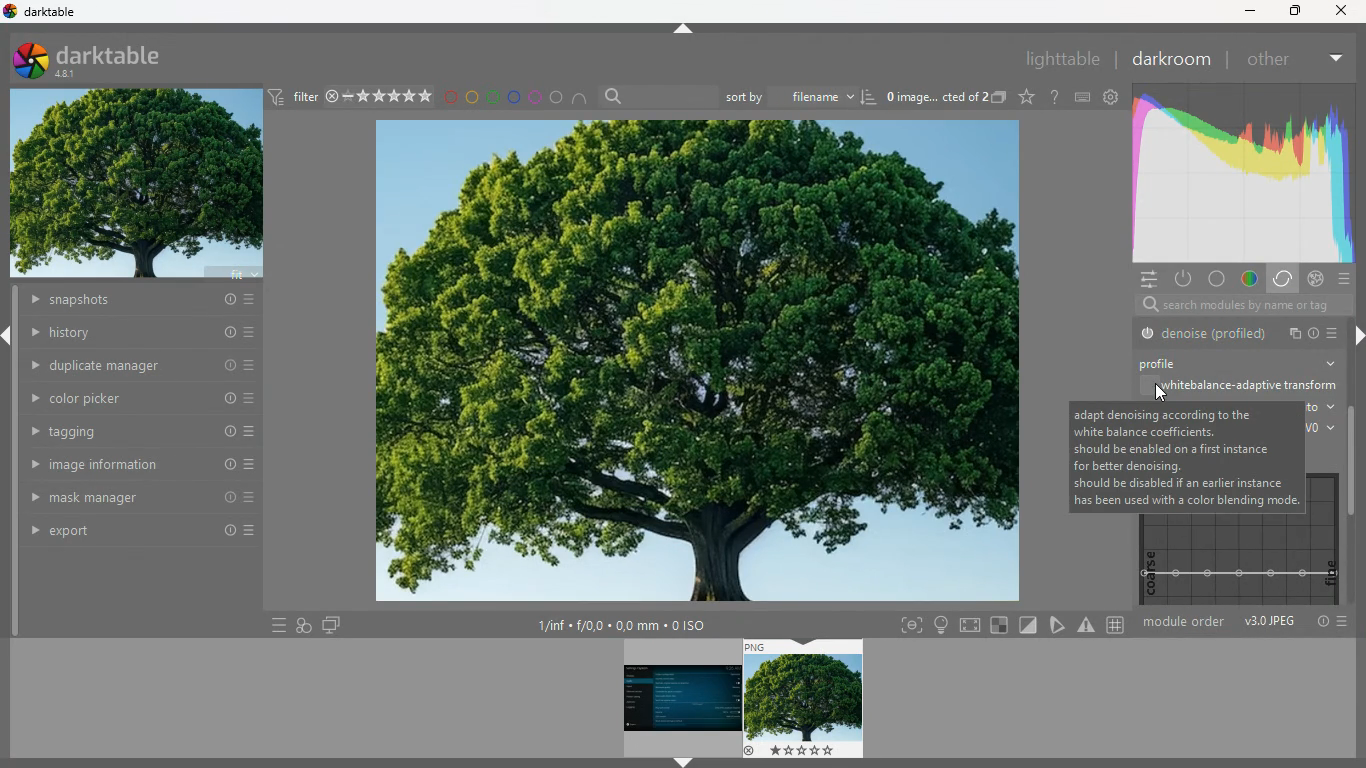 This screenshot has height=768, width=1366. What do you see at coordinates (139, 300) in the screenshot?
I see `snapshots` at bounding box center [139, 300].